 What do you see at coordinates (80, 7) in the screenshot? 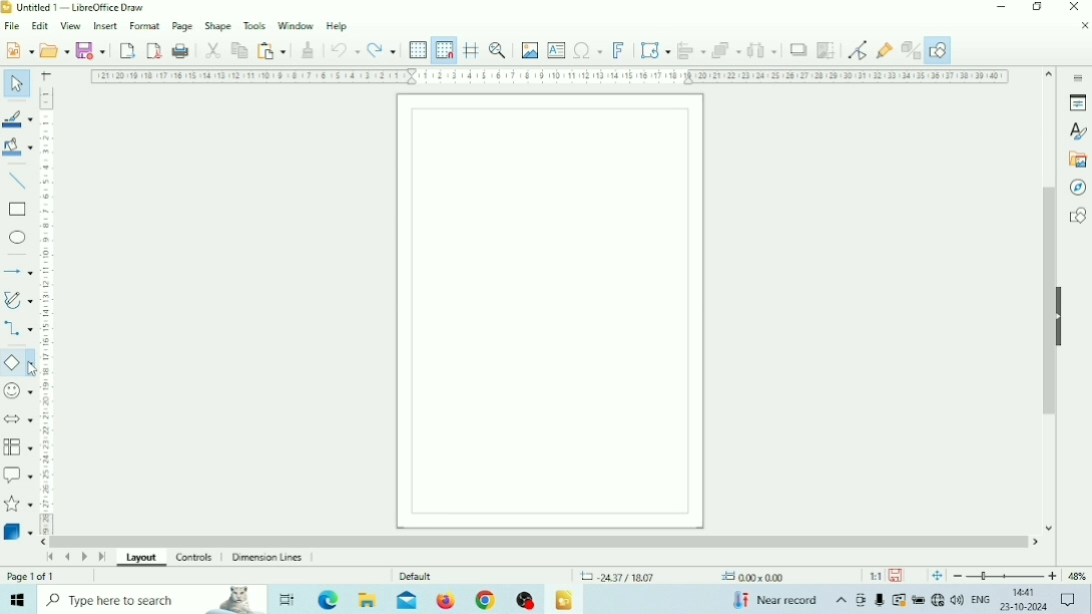
I see `Title` at bounding box center [80, 7].